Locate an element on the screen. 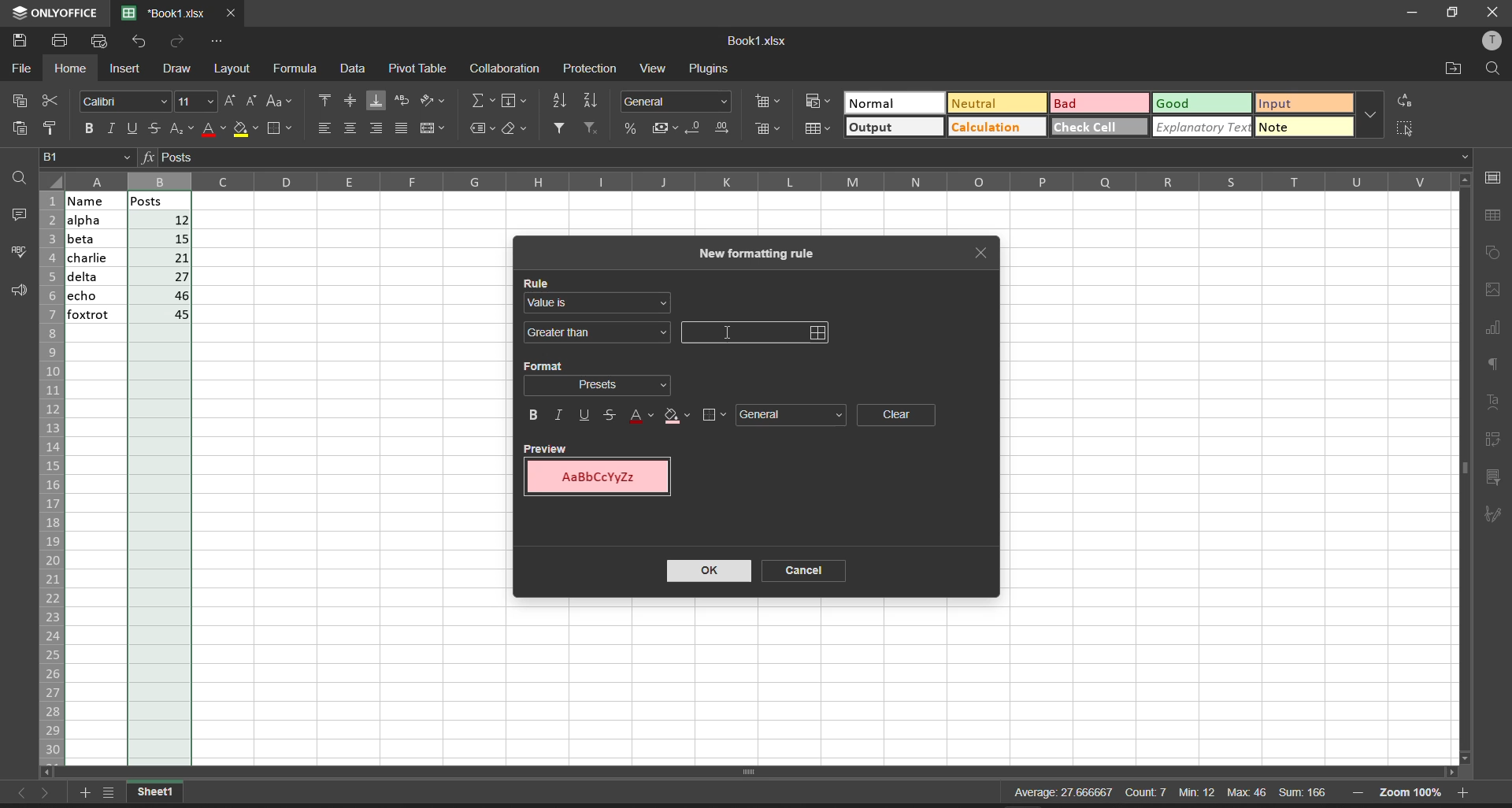 Image resolution: width=1512 pixels, height=808 pixels. scroll bar is located at coordinates (757, 765).